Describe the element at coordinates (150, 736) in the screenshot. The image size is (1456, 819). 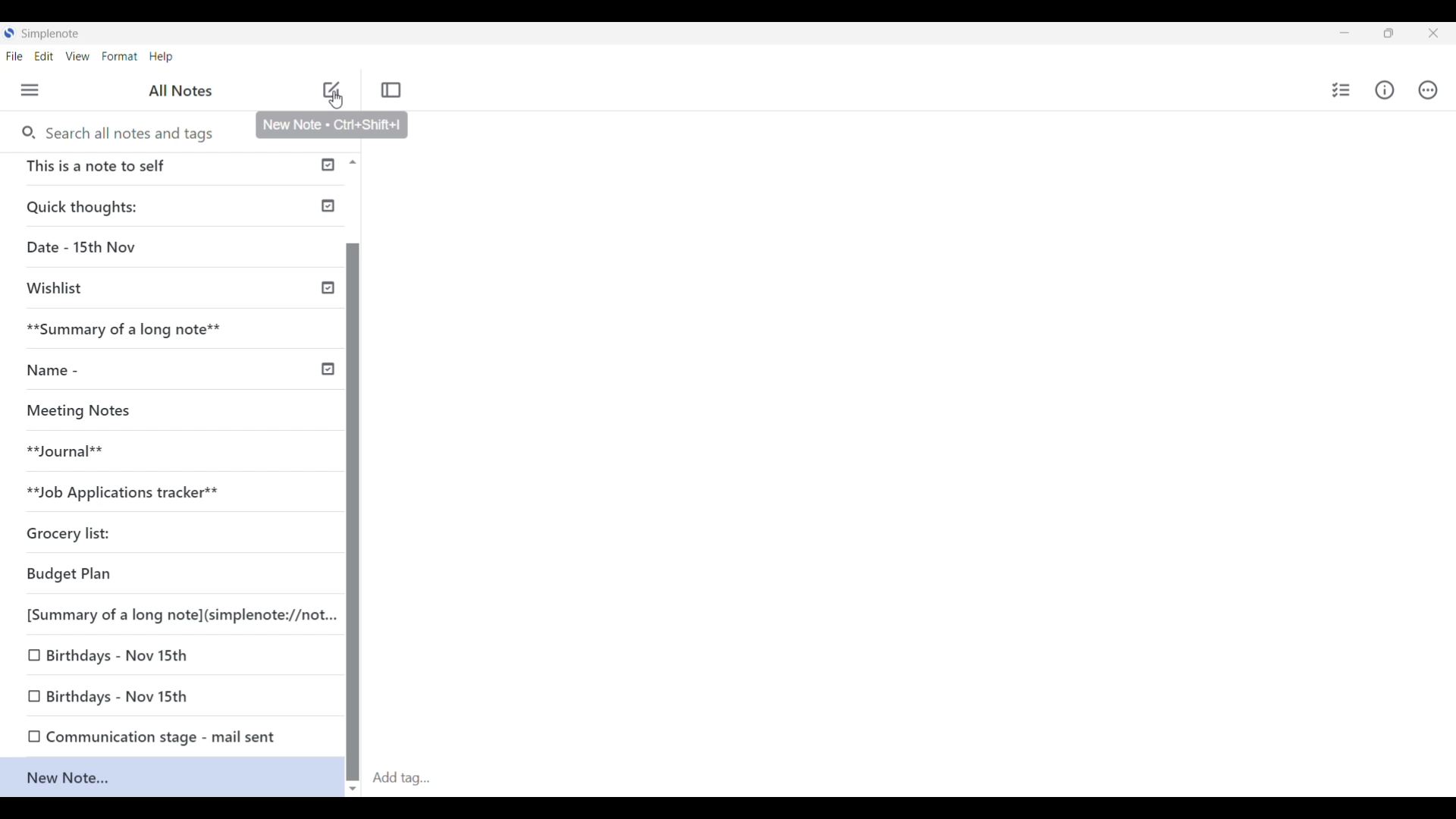
I see `O Communication stage - mail sent` at that location.